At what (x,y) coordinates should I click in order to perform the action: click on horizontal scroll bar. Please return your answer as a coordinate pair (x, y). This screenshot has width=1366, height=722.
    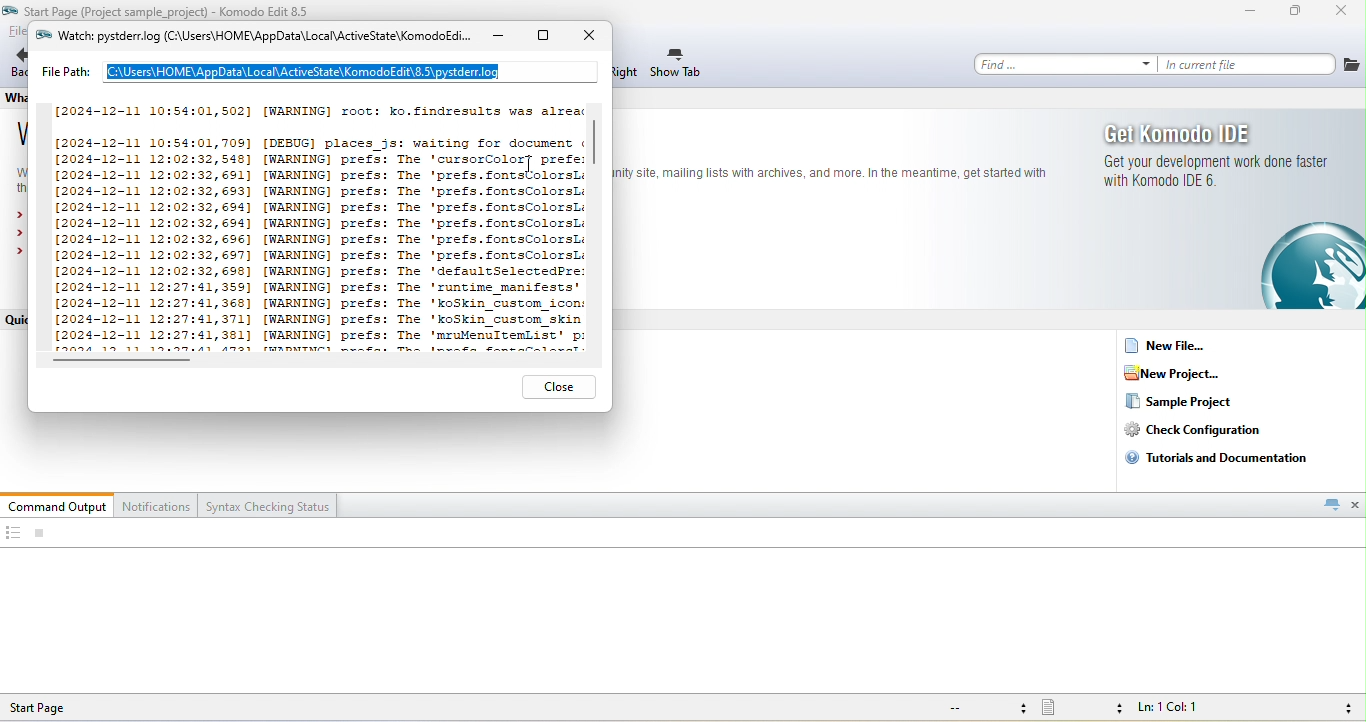
    Looking at the image, I should click on (123, 361).